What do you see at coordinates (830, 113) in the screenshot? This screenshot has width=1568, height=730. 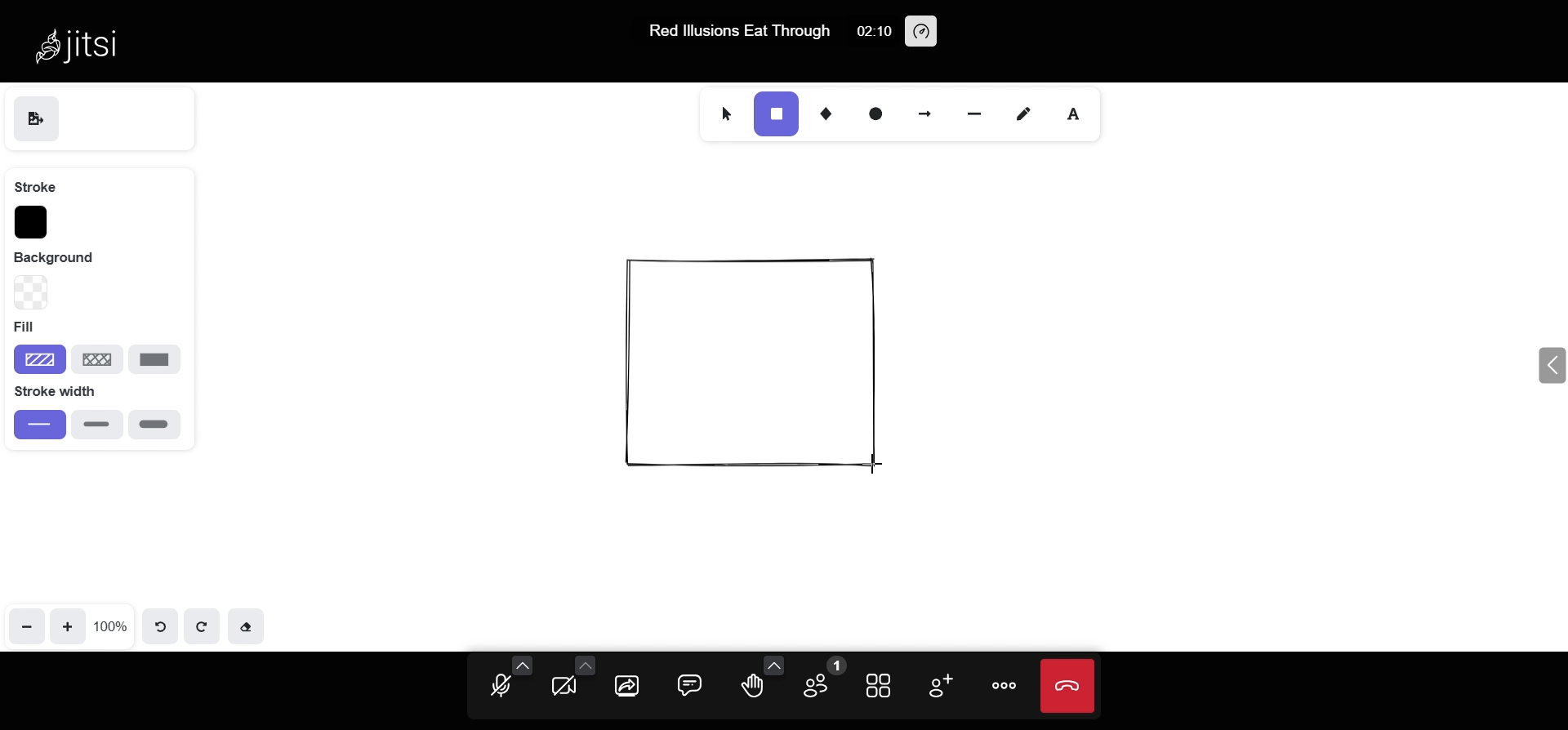 I see `diamond` at bounding box center [830, 113].